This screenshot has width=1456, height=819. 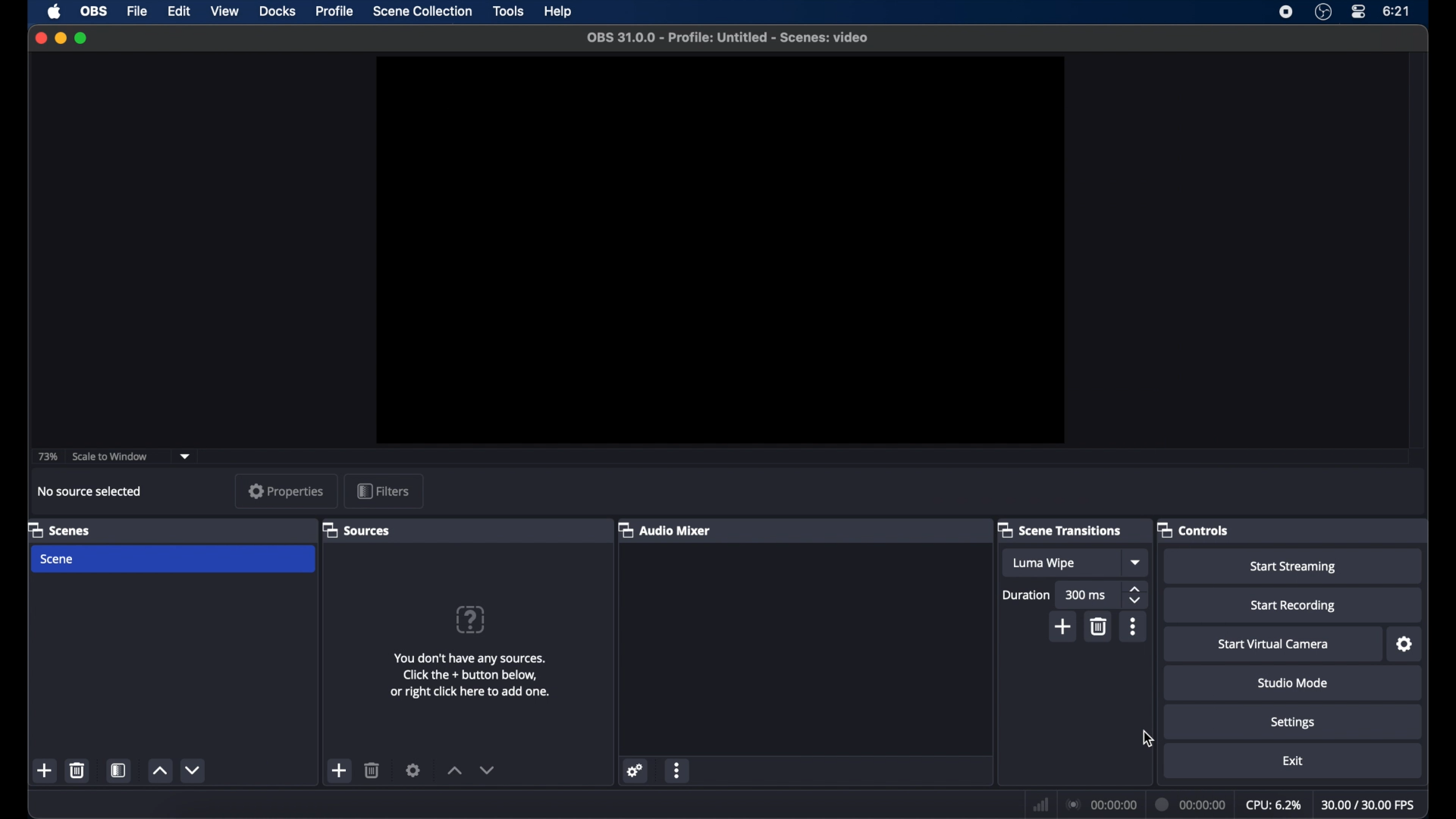 What do you see at coordinates (1188, 803) in the screenshot?
I see `duration` at bounding box center [1188, 803].